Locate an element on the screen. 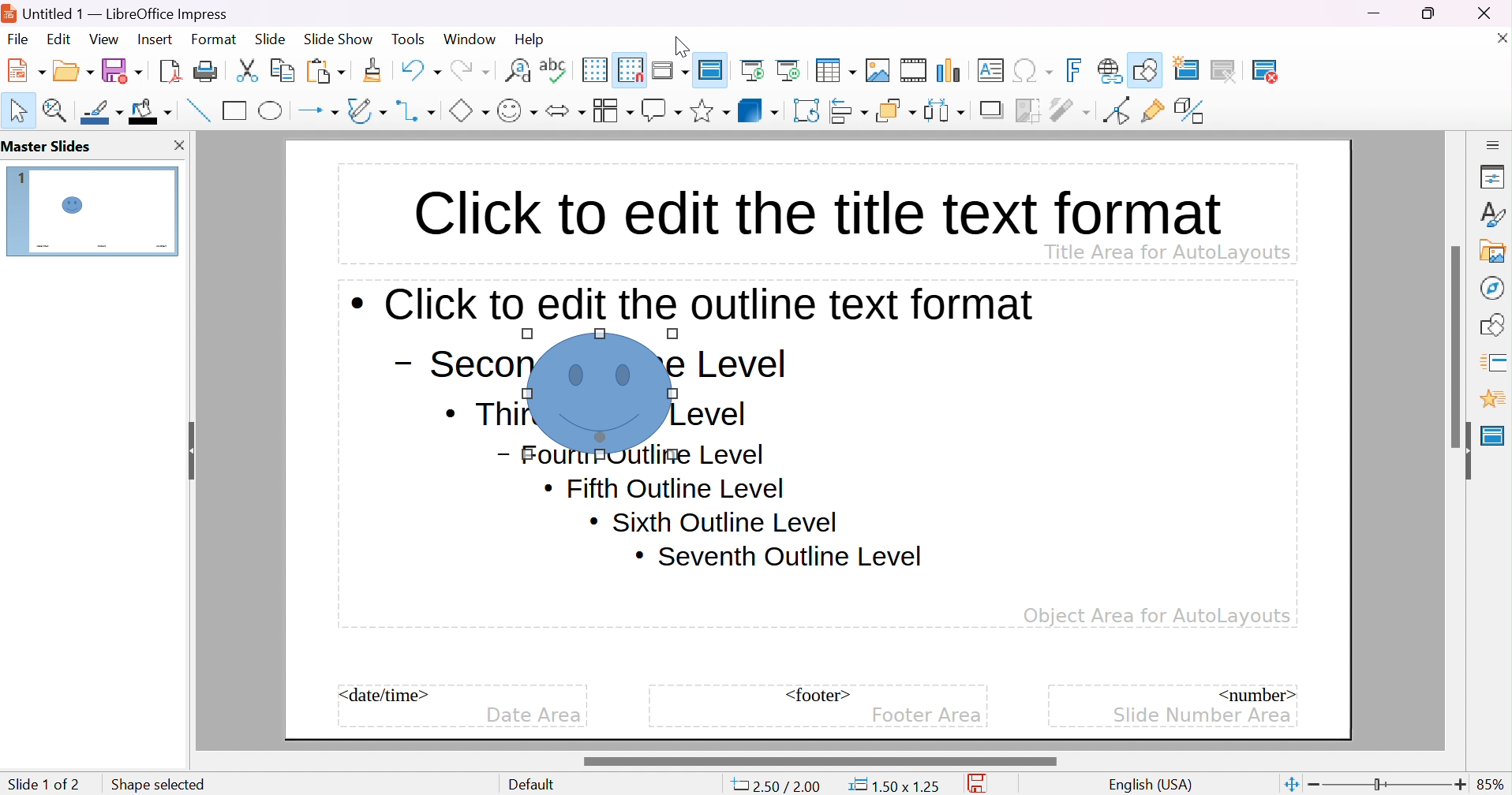 This screenshot has height=795, width=1512. curves and polygons is located at coordinates (366, 110).